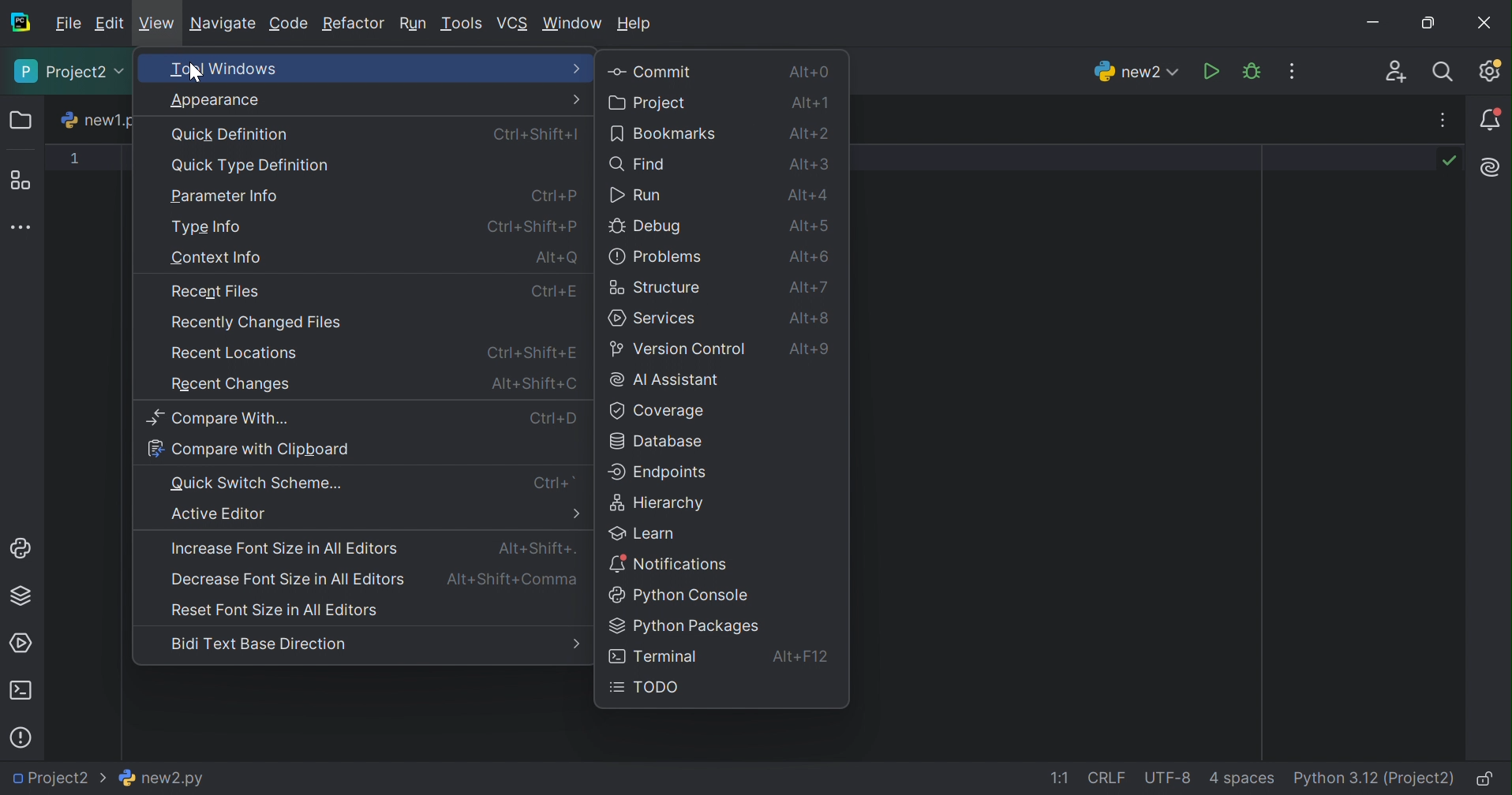 This screenshot has height=795, width=1512. What do you see at coordinates (651, 71) in the screenshot?
I see `Commit` at bounding box center [651, 71].